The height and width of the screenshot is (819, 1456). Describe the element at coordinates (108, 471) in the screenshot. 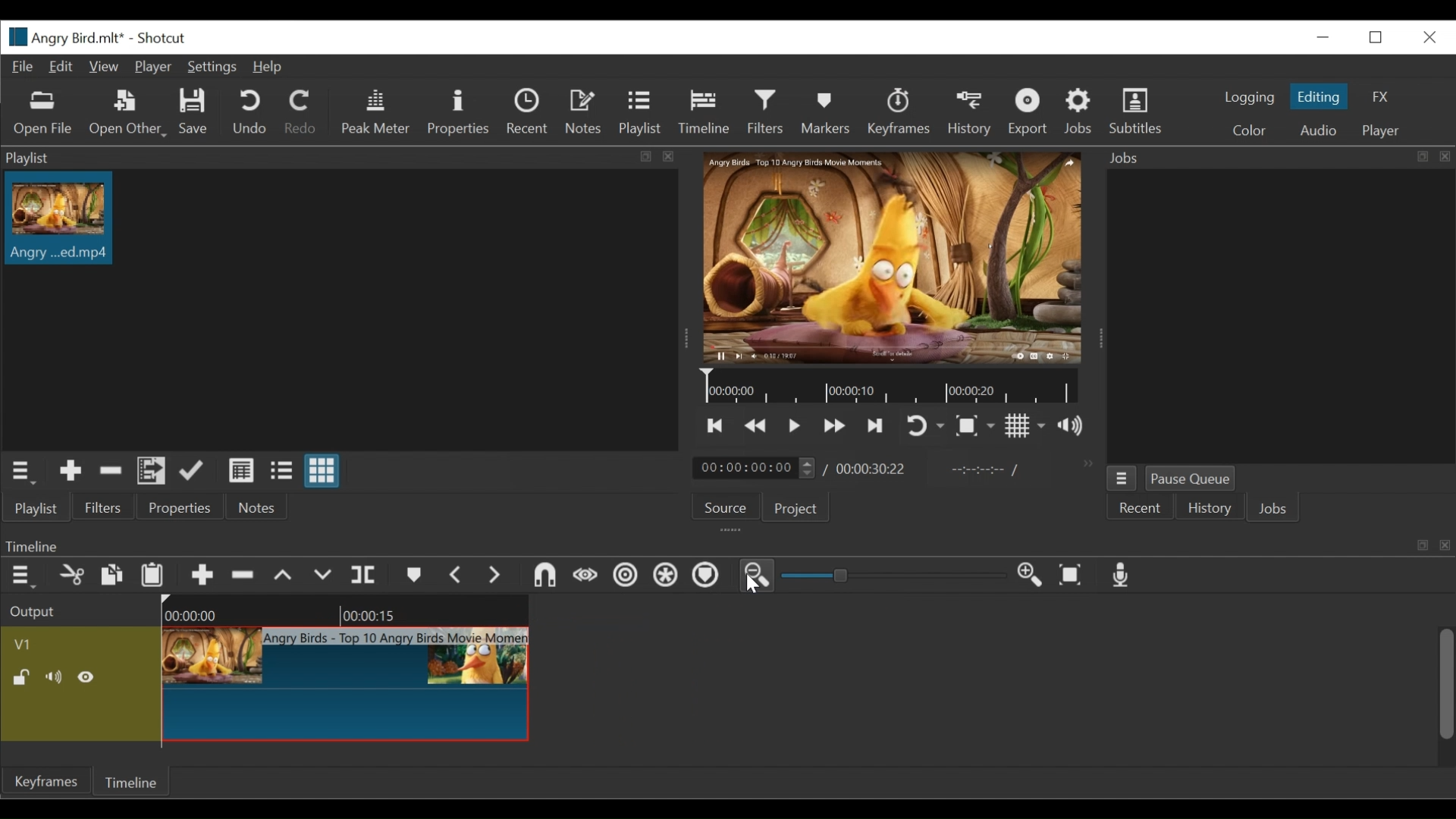

I see `Remove cut` at that location.